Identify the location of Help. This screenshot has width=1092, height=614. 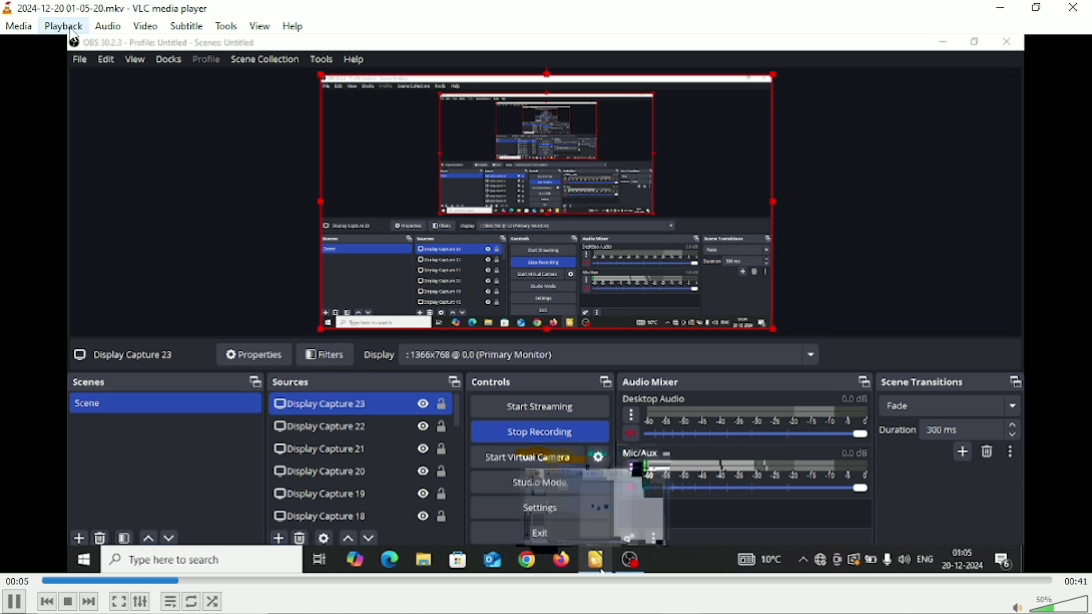
(293, 25).